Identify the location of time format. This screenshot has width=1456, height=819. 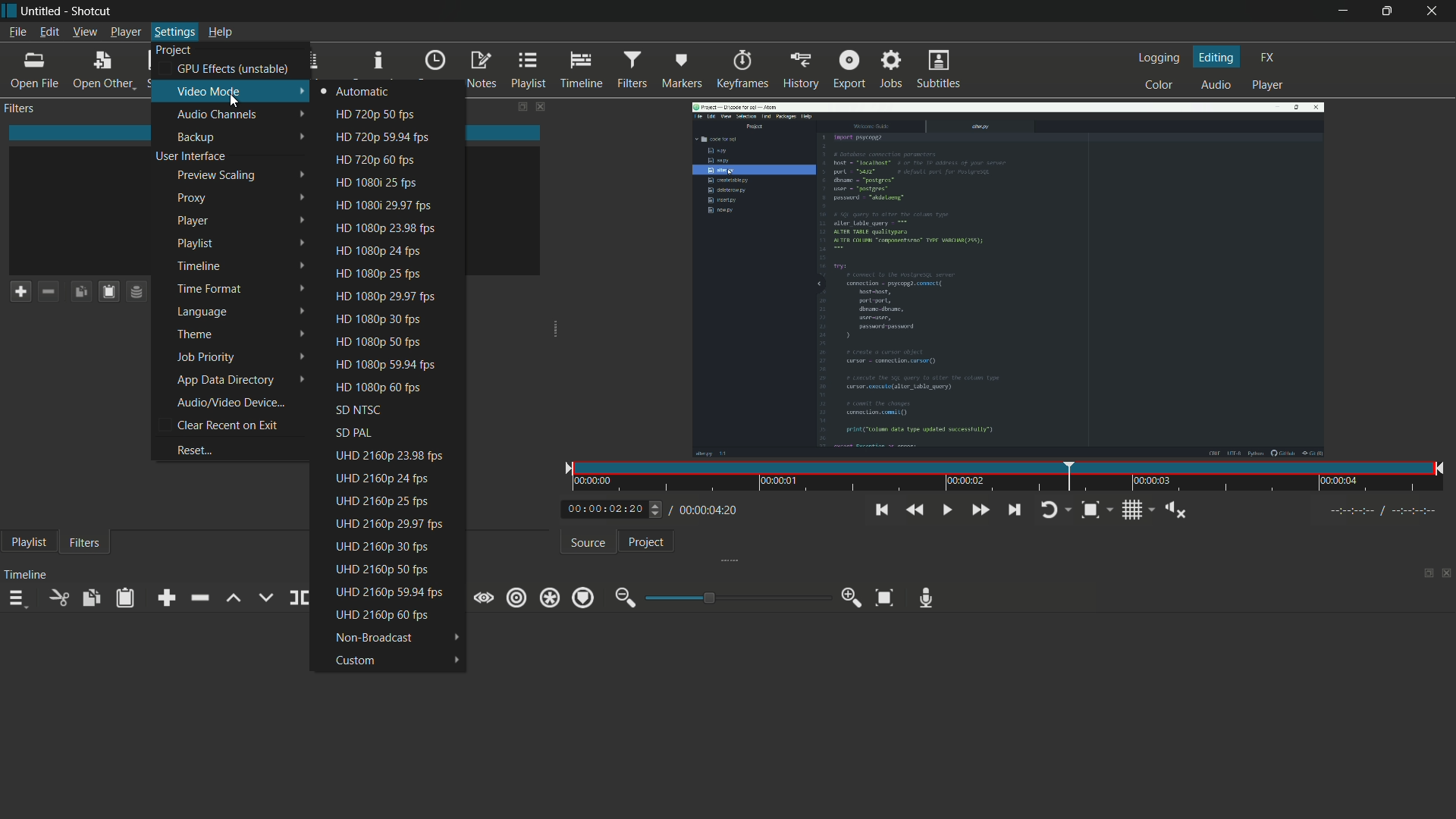
(242, 290).